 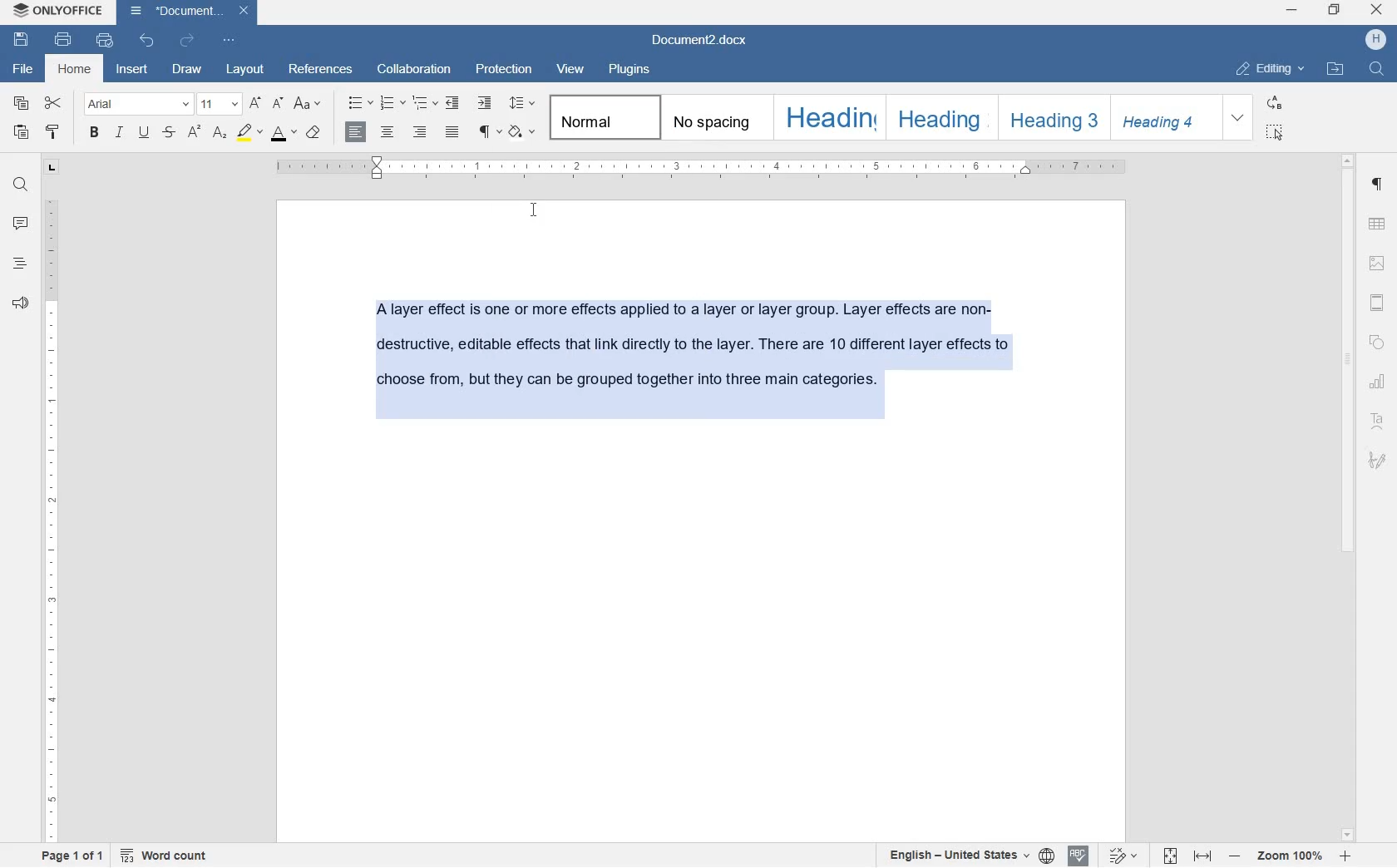 What do you see at coordinates (194, 133) in the screenshot?
I see `superscript` at bounding box center [194, 133].